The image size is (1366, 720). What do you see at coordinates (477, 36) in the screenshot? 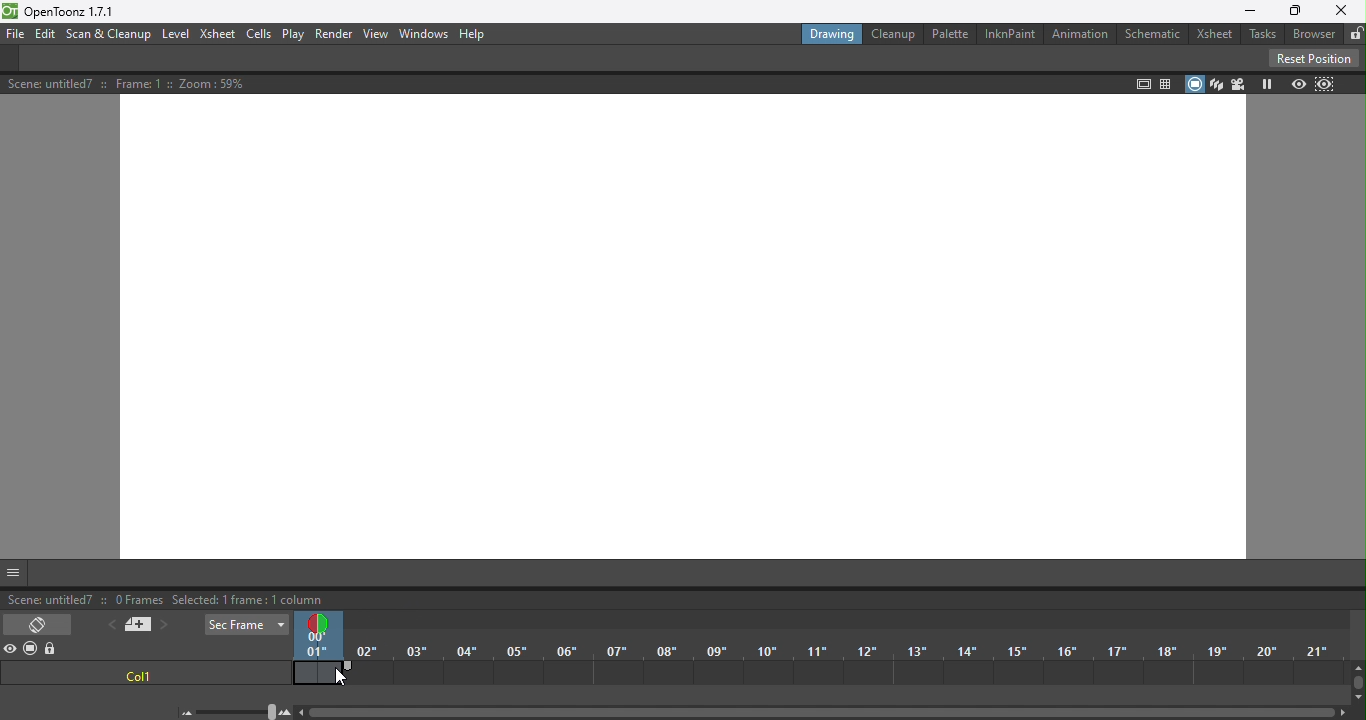
I see `Help` at bounding box center [477, 36].